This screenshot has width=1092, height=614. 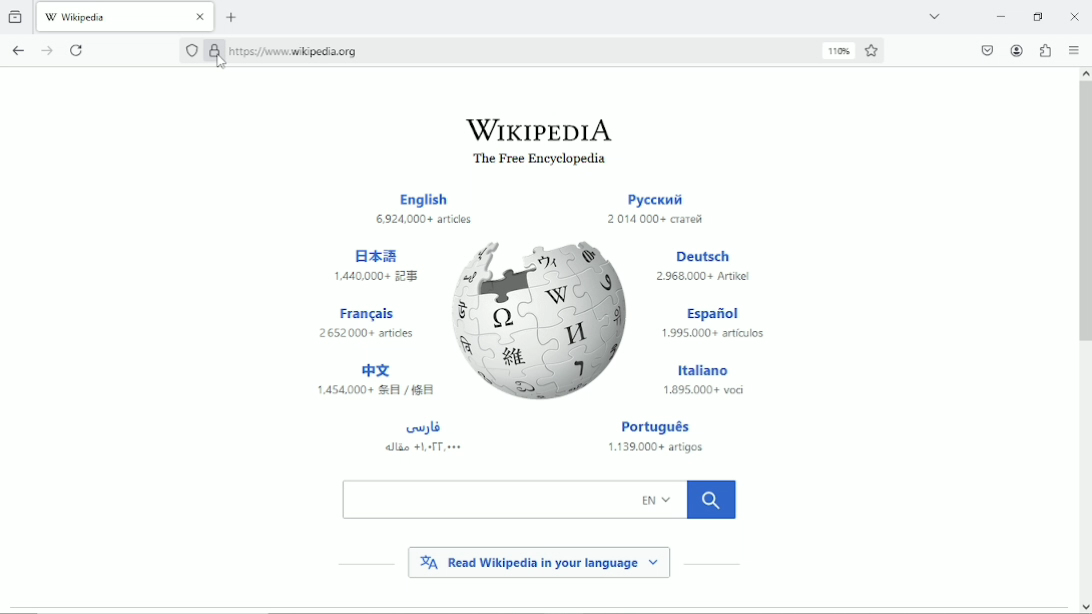 What do you see at coordinates (1016, 50) in the screenshot?
I see `account` at bounding box center [1016, 50].